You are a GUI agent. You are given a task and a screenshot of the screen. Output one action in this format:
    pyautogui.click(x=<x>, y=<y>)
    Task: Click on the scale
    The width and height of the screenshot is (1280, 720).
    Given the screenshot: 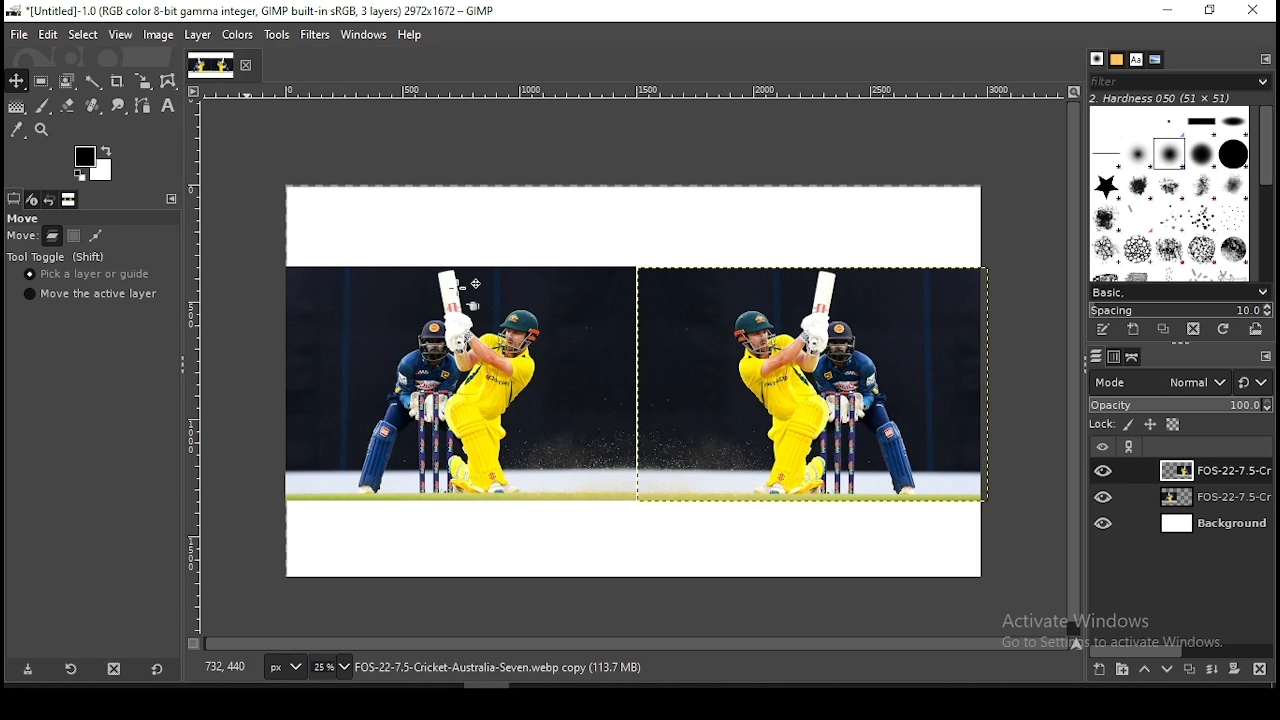 What is the action you would take?
    pyautogui.click(x=624, y=91)
    